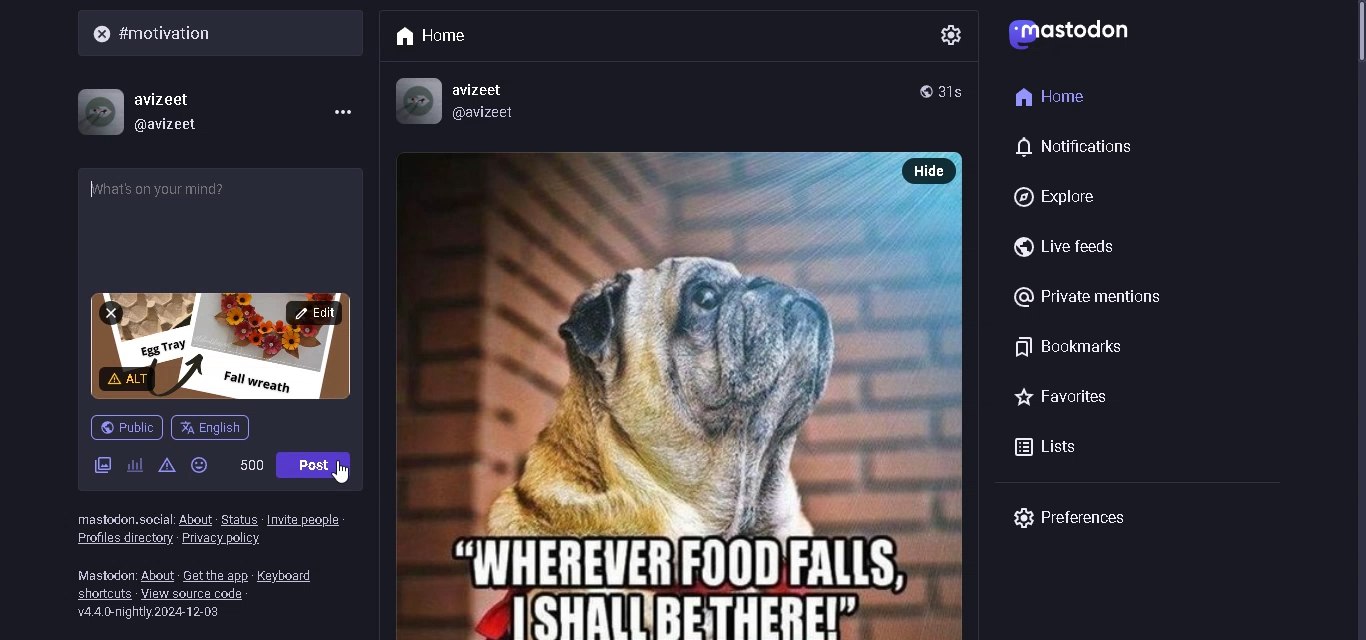  Describe the element at coordinates (128, 379) in the screenshot. I see `add content warning` at that location.